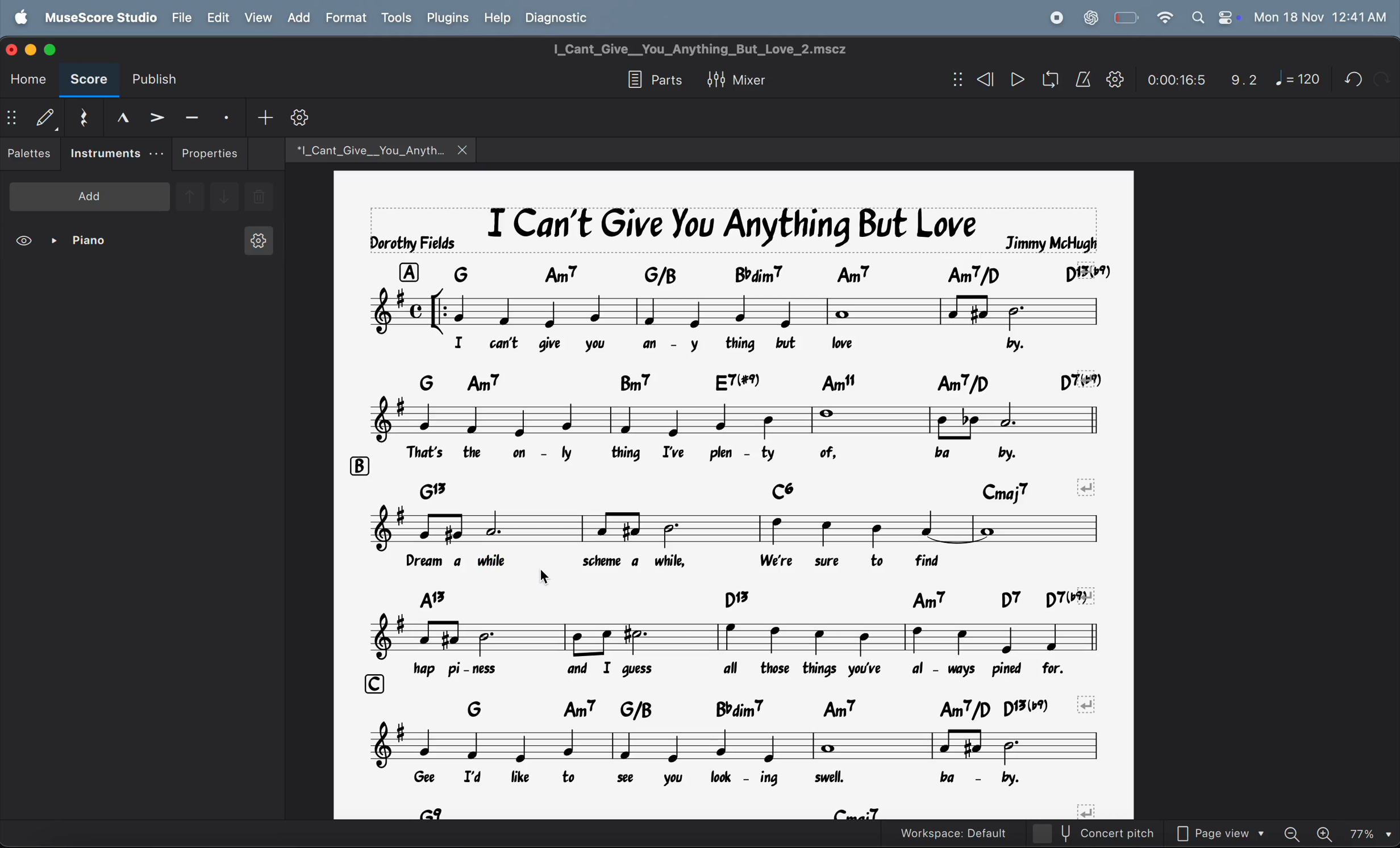  Describe the element at coordinates (263, 116) in the screenshot. I see `add` at that location.